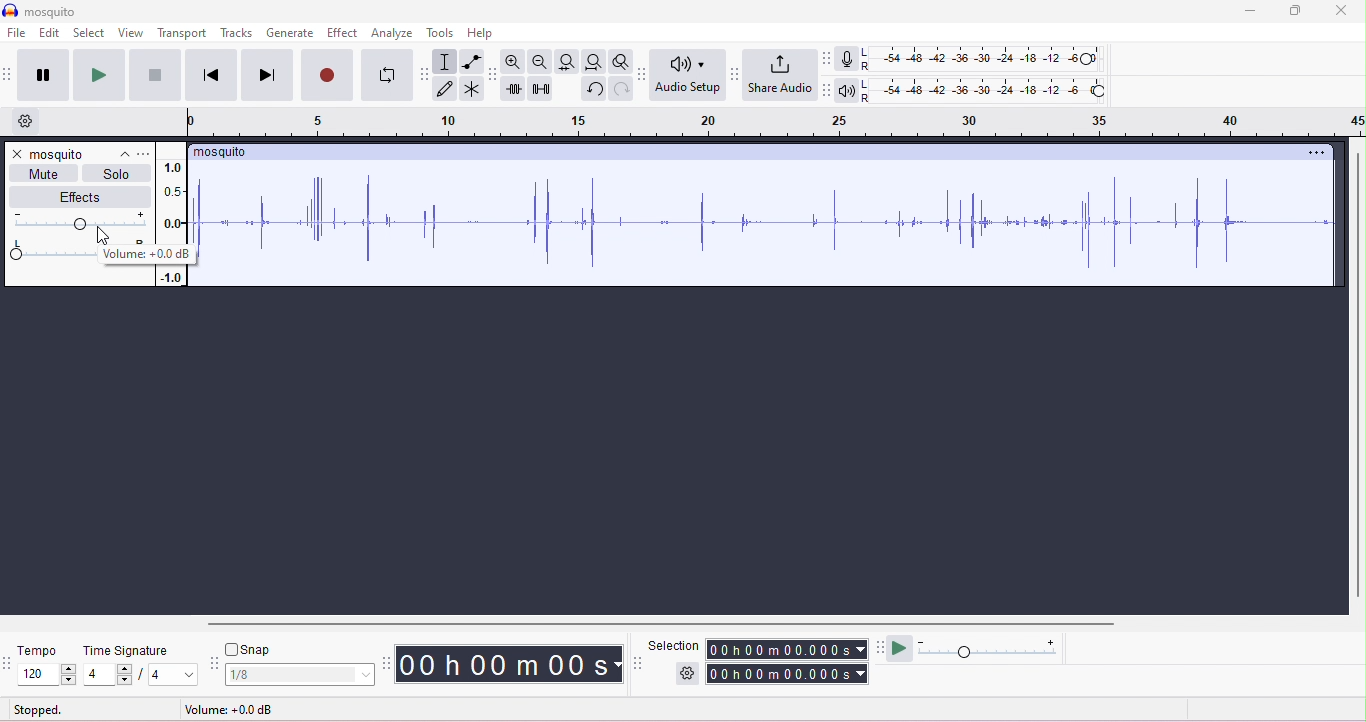 The height and width of the screenshot is (722, 1366). Describe the element at coordinates (103, 236) in the screenshot. I see `cursor` at that location.